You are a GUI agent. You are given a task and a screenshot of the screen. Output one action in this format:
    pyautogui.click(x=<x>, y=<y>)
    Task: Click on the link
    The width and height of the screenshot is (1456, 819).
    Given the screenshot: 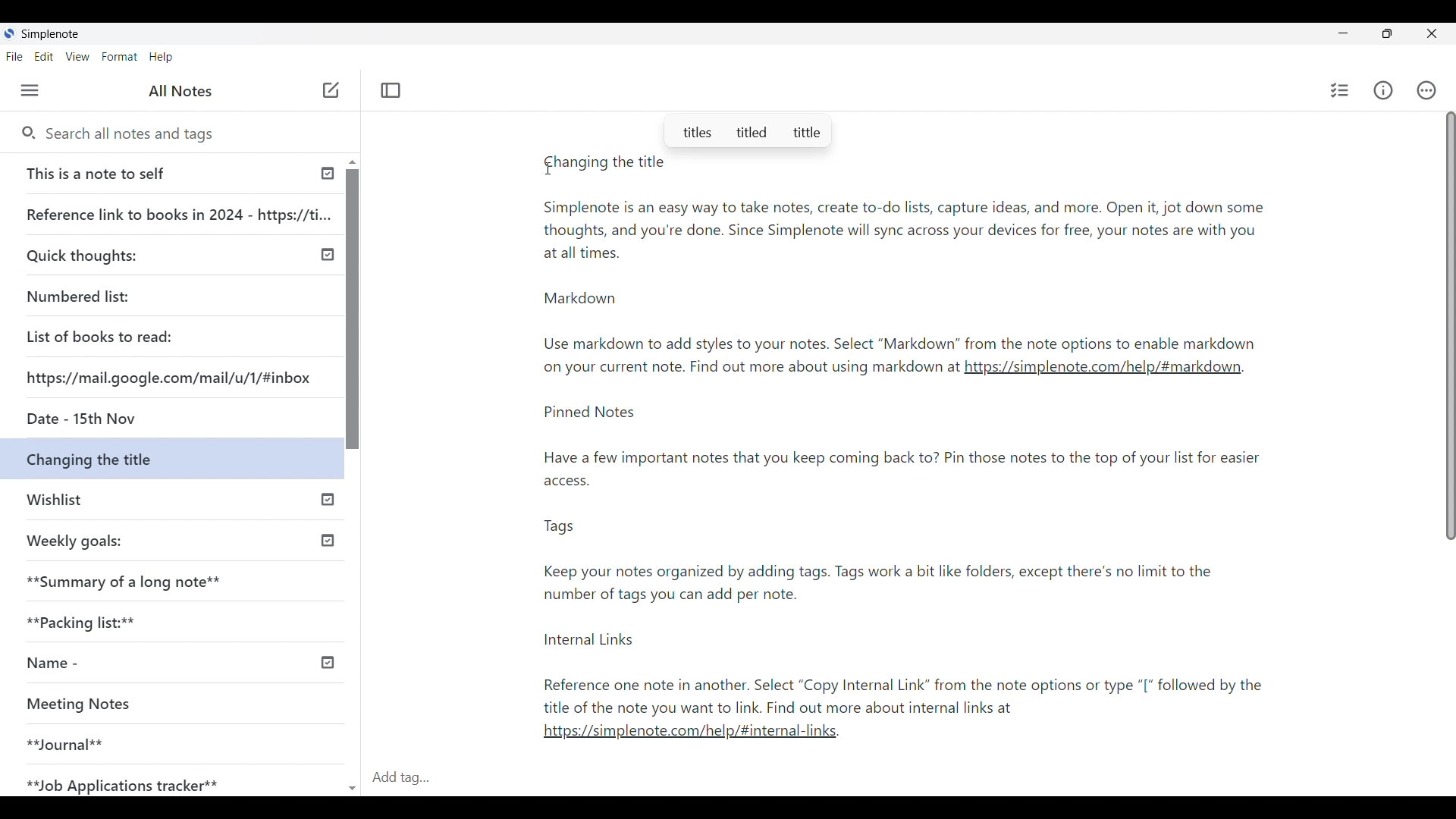 What is the action you would take?
    pyautogui.click(x=696, y=736)
    